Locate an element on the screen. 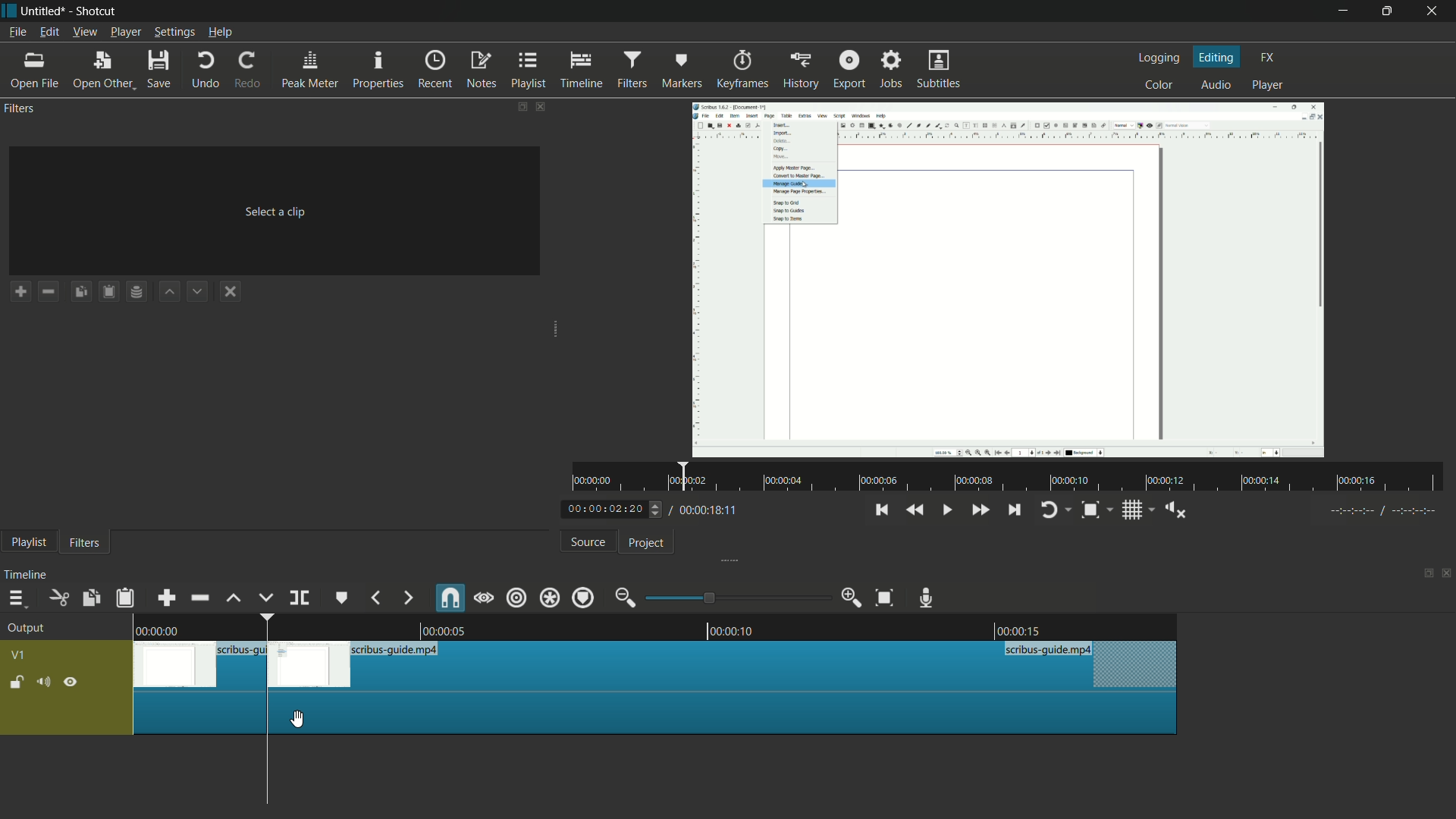 This screenshot has height=819, width=1456. skip to the next point is located at coordinates (1015, 510).